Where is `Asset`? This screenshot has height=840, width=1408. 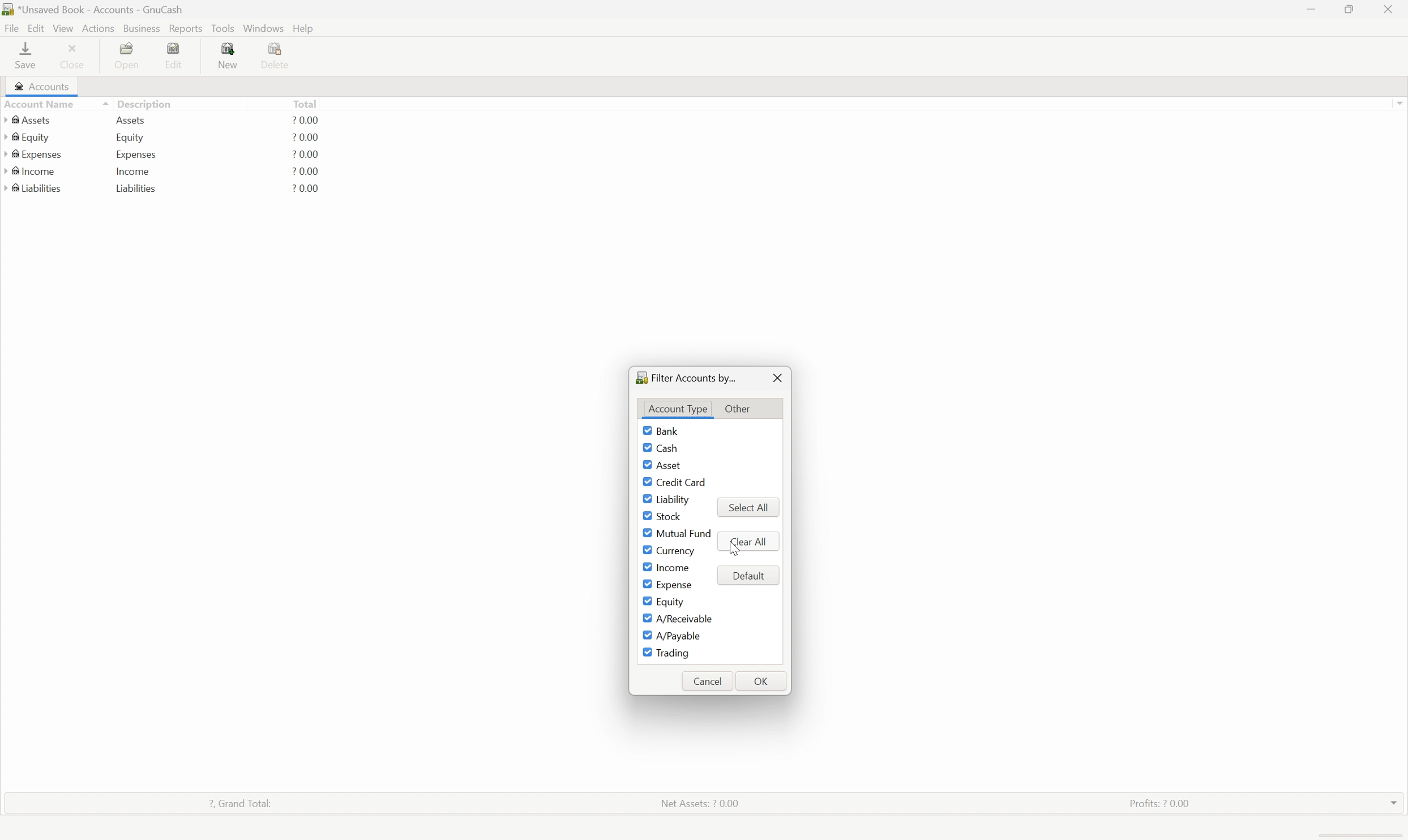
Asset is located at coordinates (671, 465).